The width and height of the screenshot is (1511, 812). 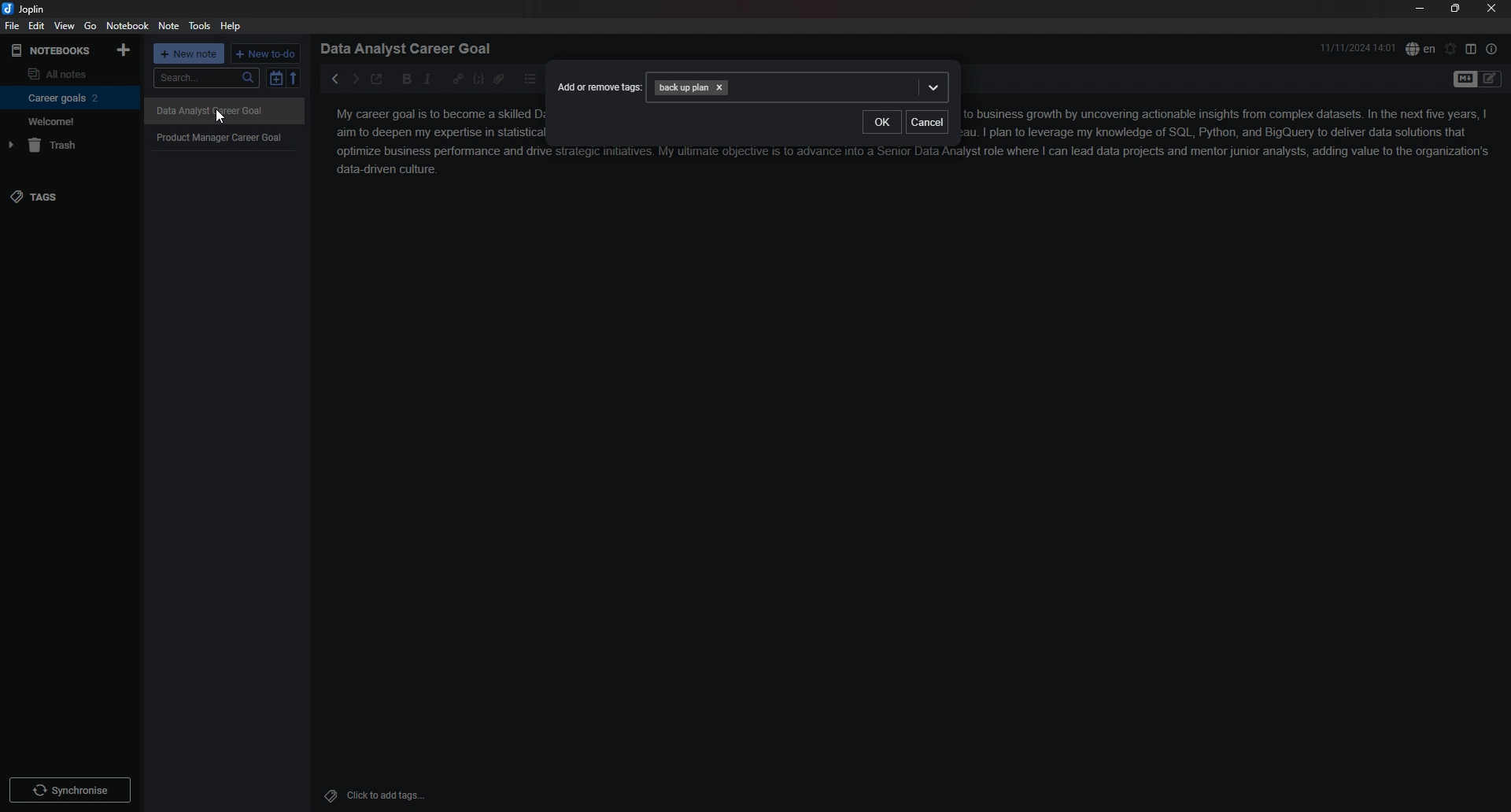 What do you see at coordinates (1456, 8) in the screenshot?
I see `resize` at bounding box center [1456, 8].